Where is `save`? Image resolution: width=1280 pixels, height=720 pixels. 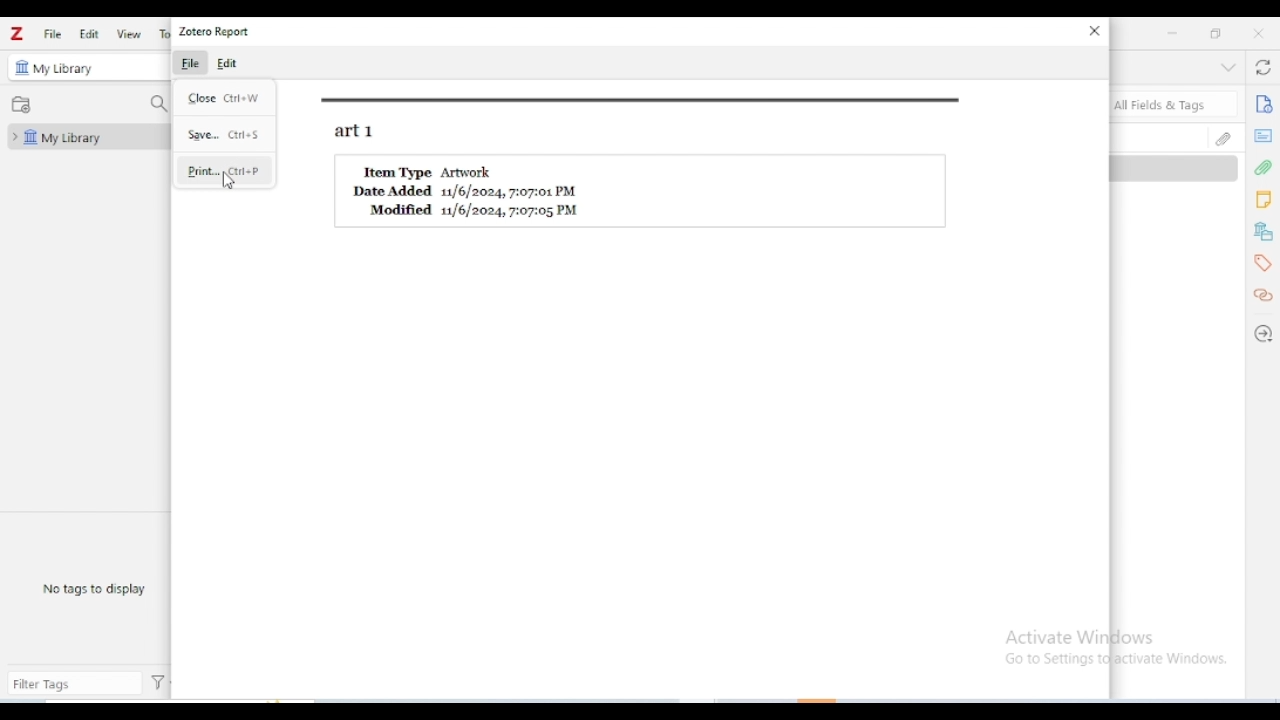
save is located at coordinates (204, 135).